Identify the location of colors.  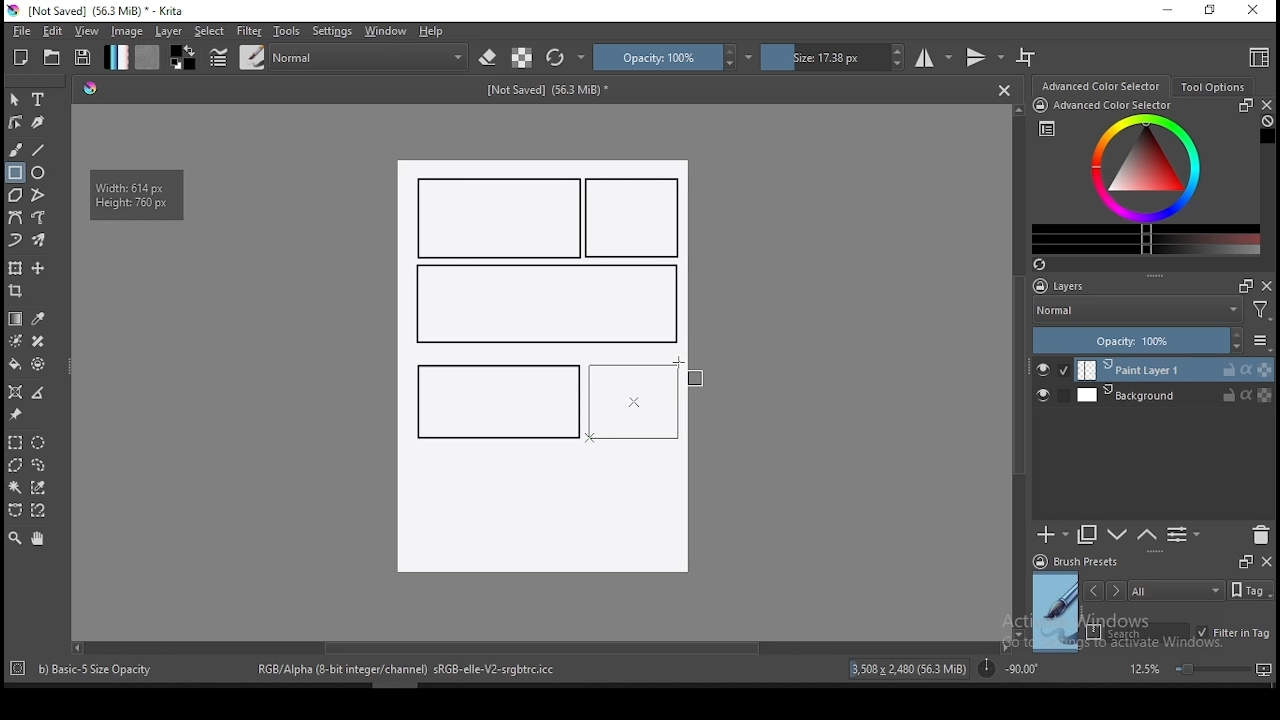
(183, 57).